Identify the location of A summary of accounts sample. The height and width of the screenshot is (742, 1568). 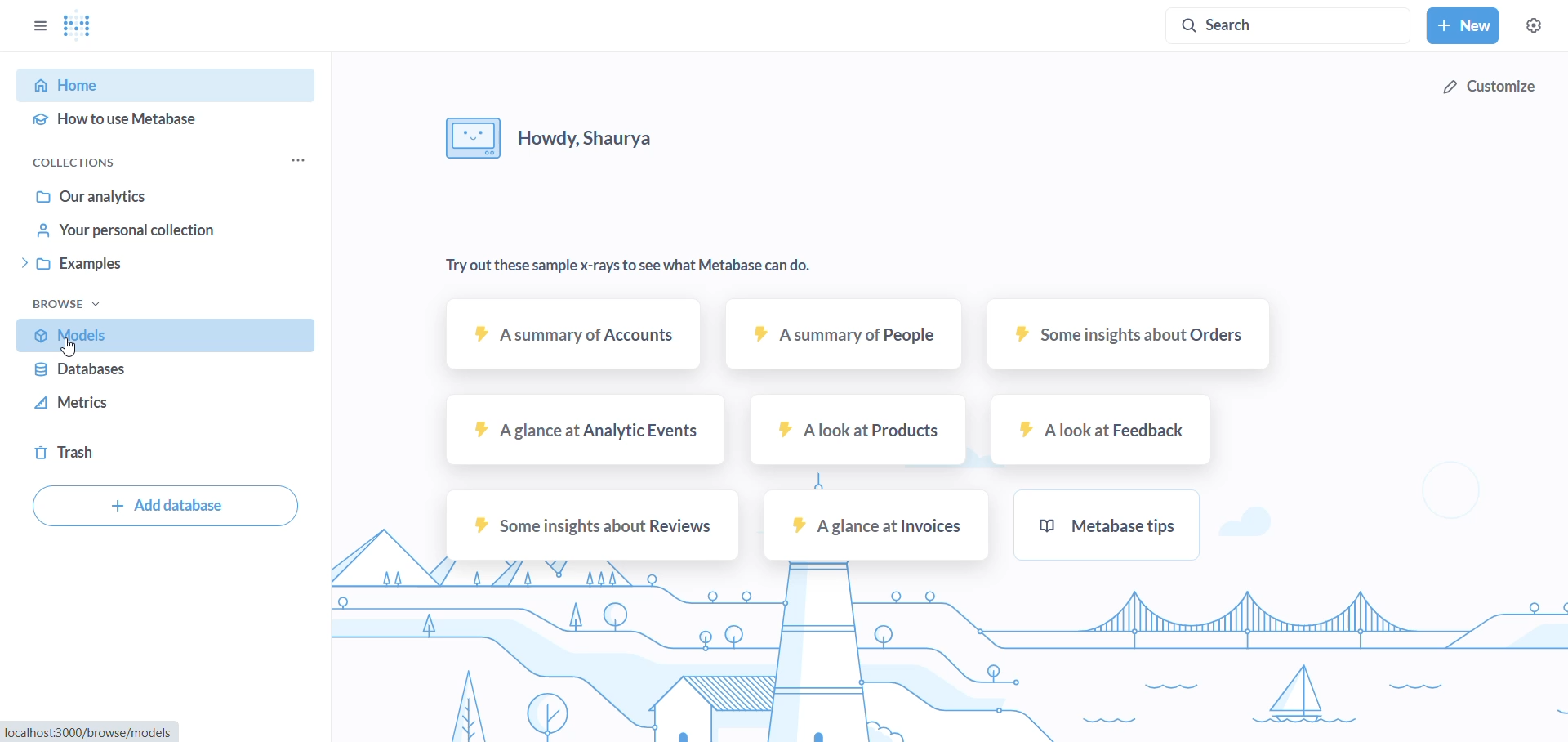
(574, 342).